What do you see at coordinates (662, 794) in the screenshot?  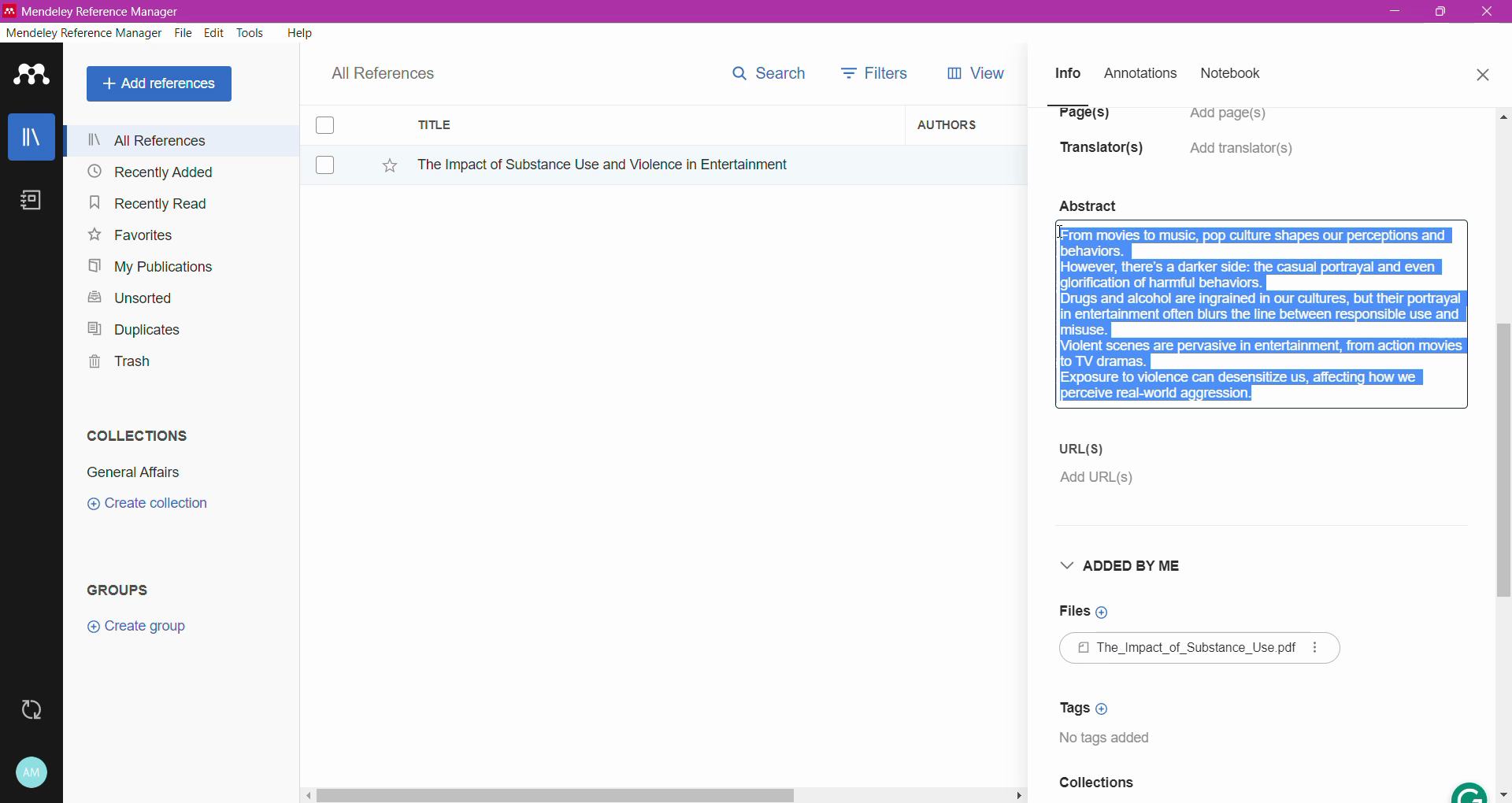 I see `Horizontal Scroll Bar` at bounding box center [662, 794].